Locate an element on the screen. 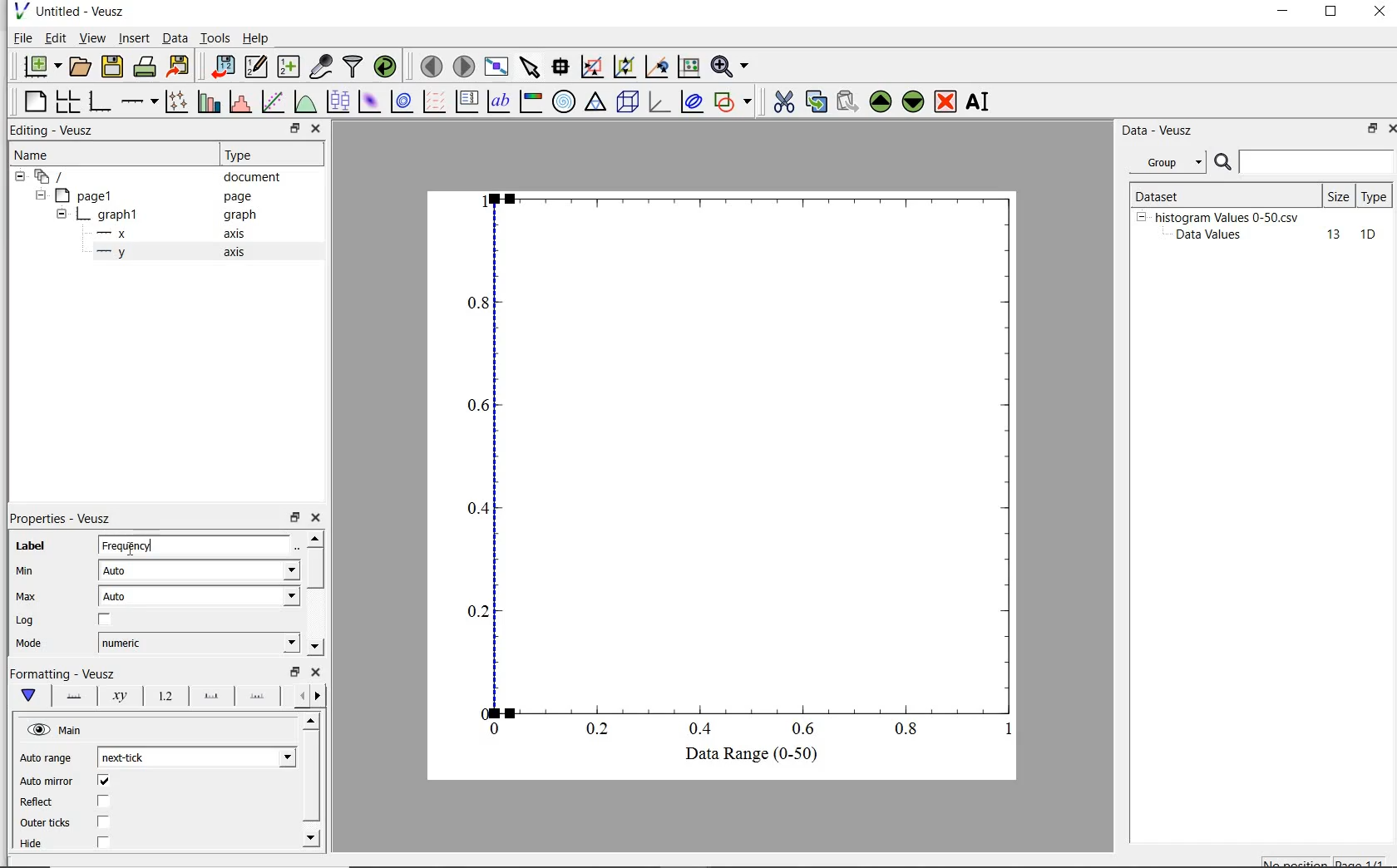  hide is located at coordinates (62, 215).